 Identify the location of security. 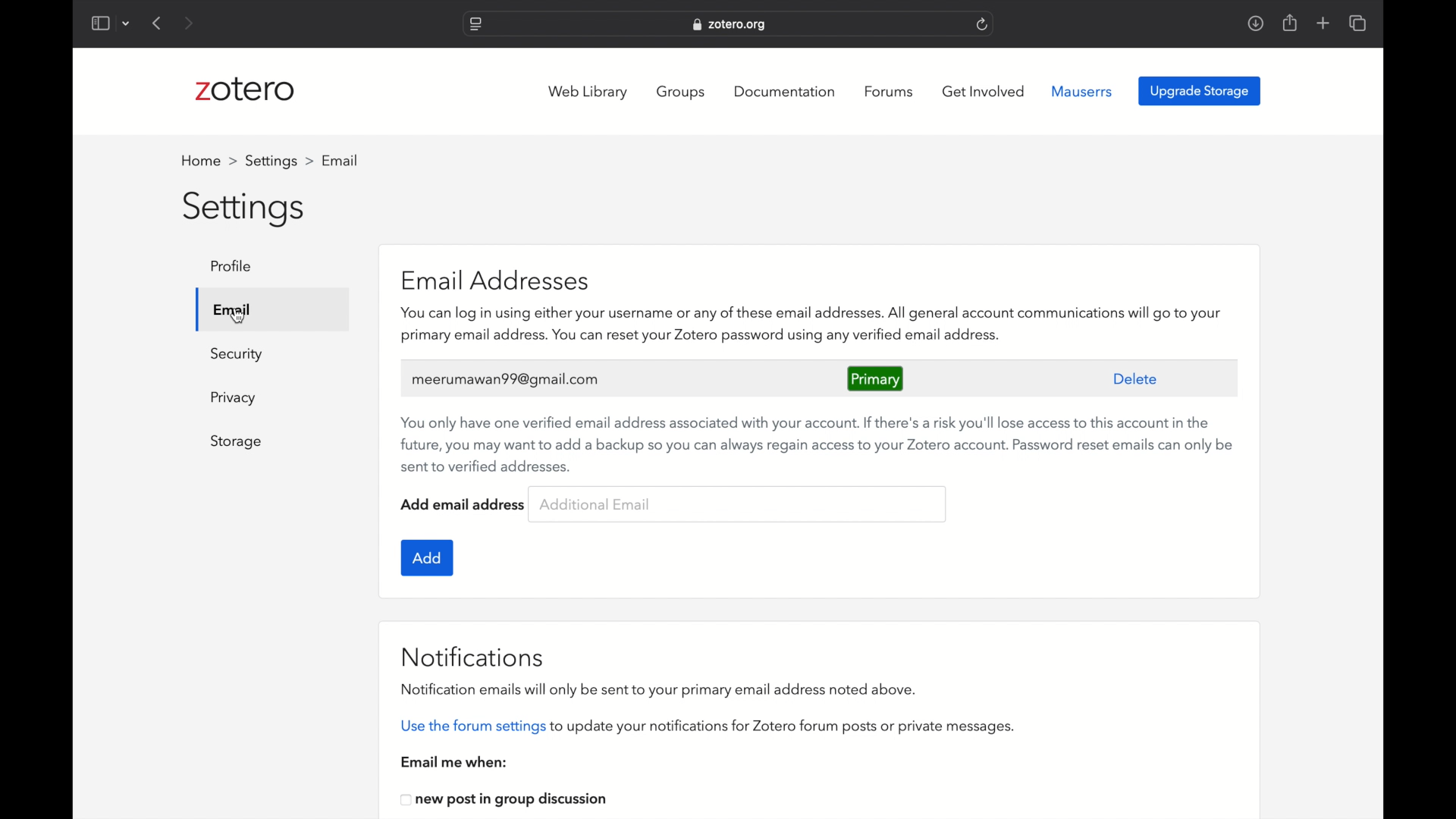
(237, 355).